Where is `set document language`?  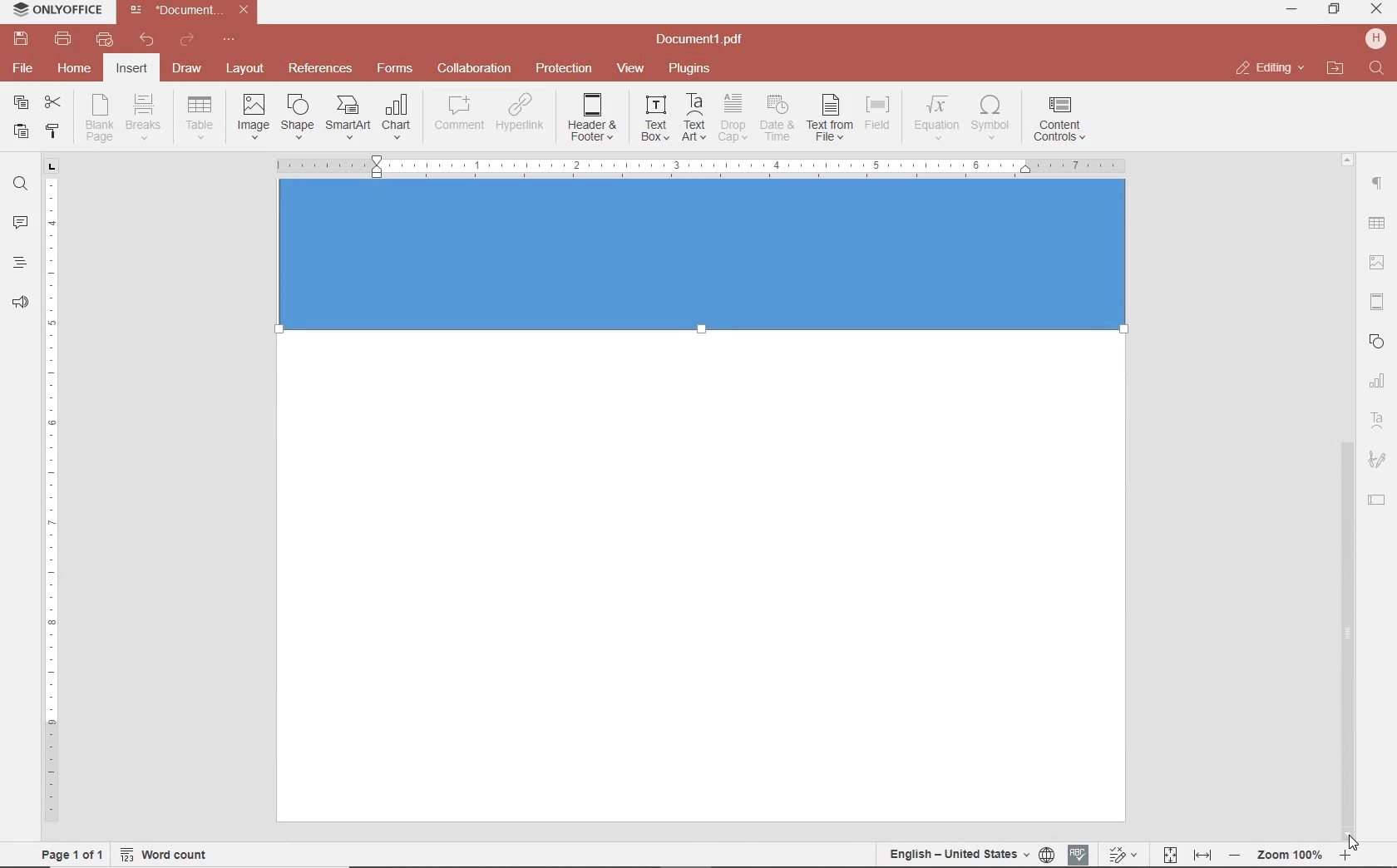
set document language is located at coordinates (970, 854).